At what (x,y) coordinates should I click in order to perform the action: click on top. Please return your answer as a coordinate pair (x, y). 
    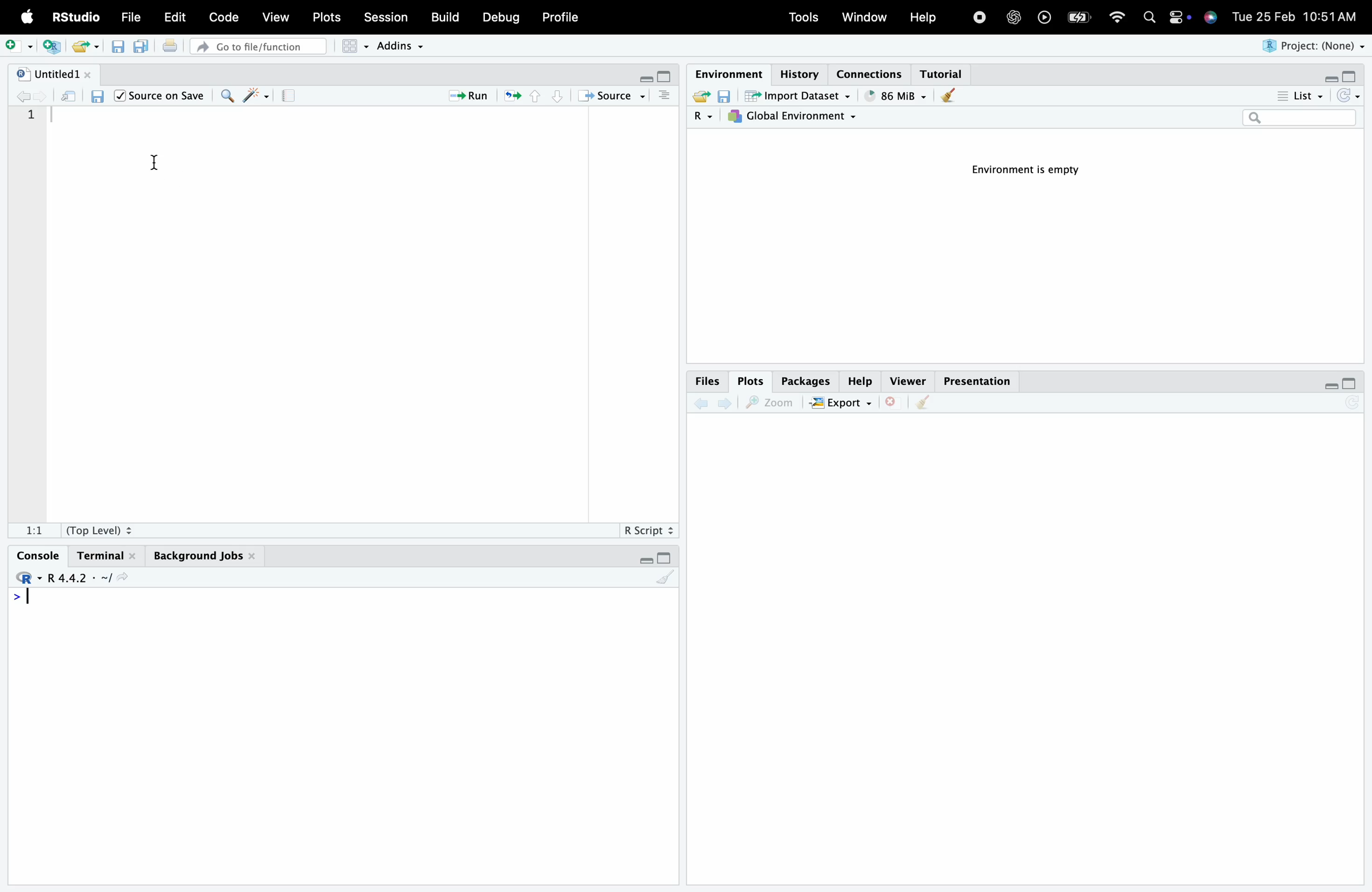
    Looking at the image, I should click on (533, 99).